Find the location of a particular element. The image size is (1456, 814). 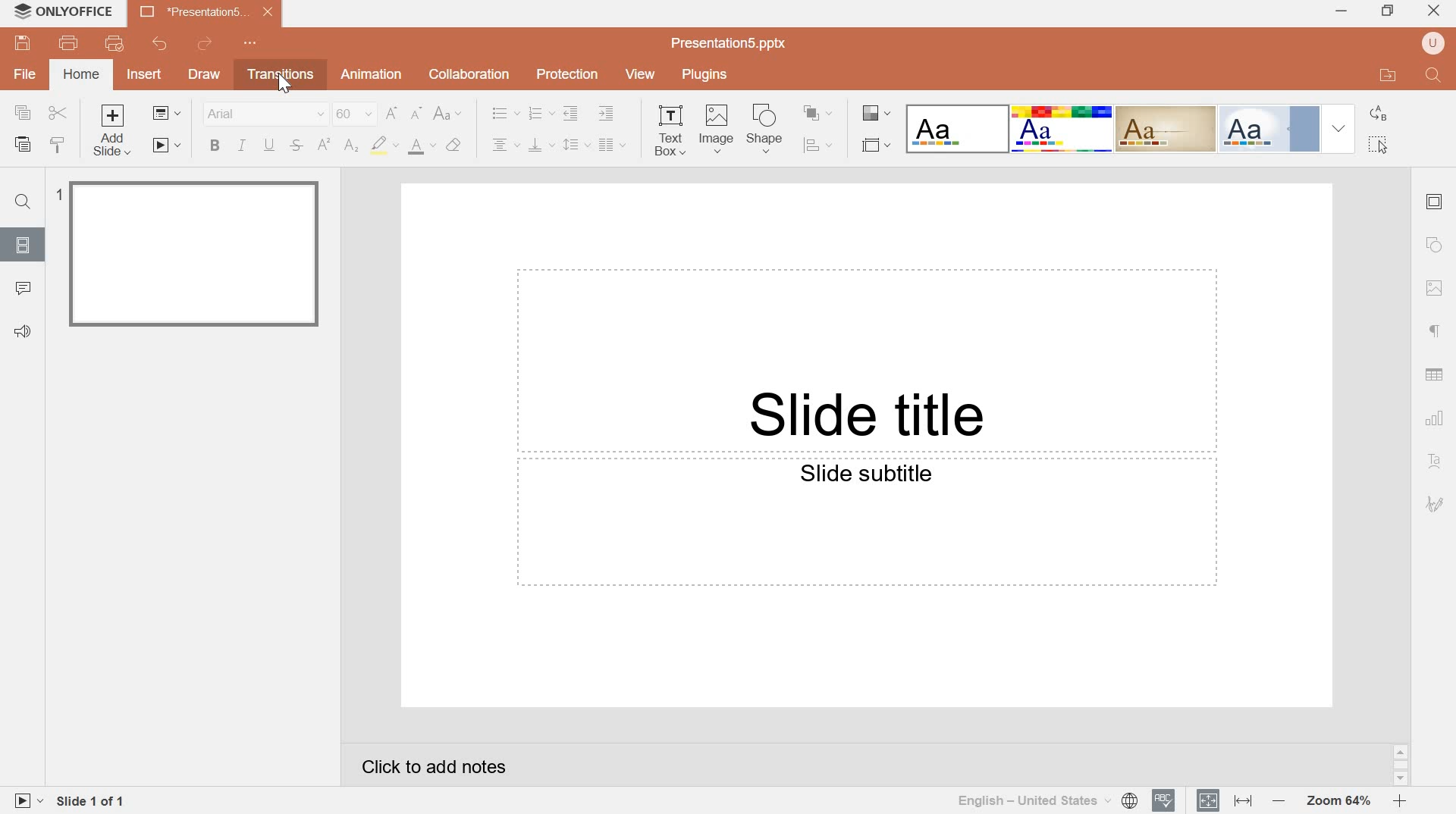

Fit to width is located at coordinates (1242, 800).